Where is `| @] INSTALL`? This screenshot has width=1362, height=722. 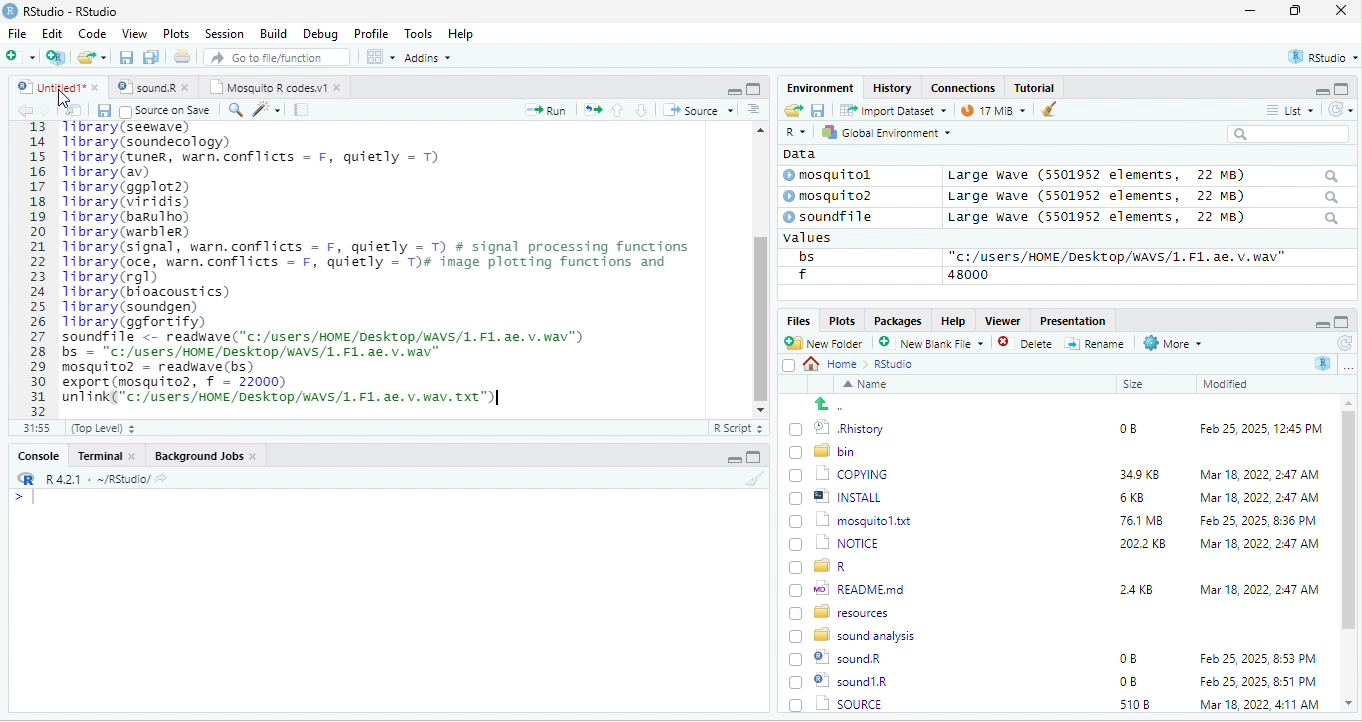 | @] INSTALL is located at coordinates (839, 496).